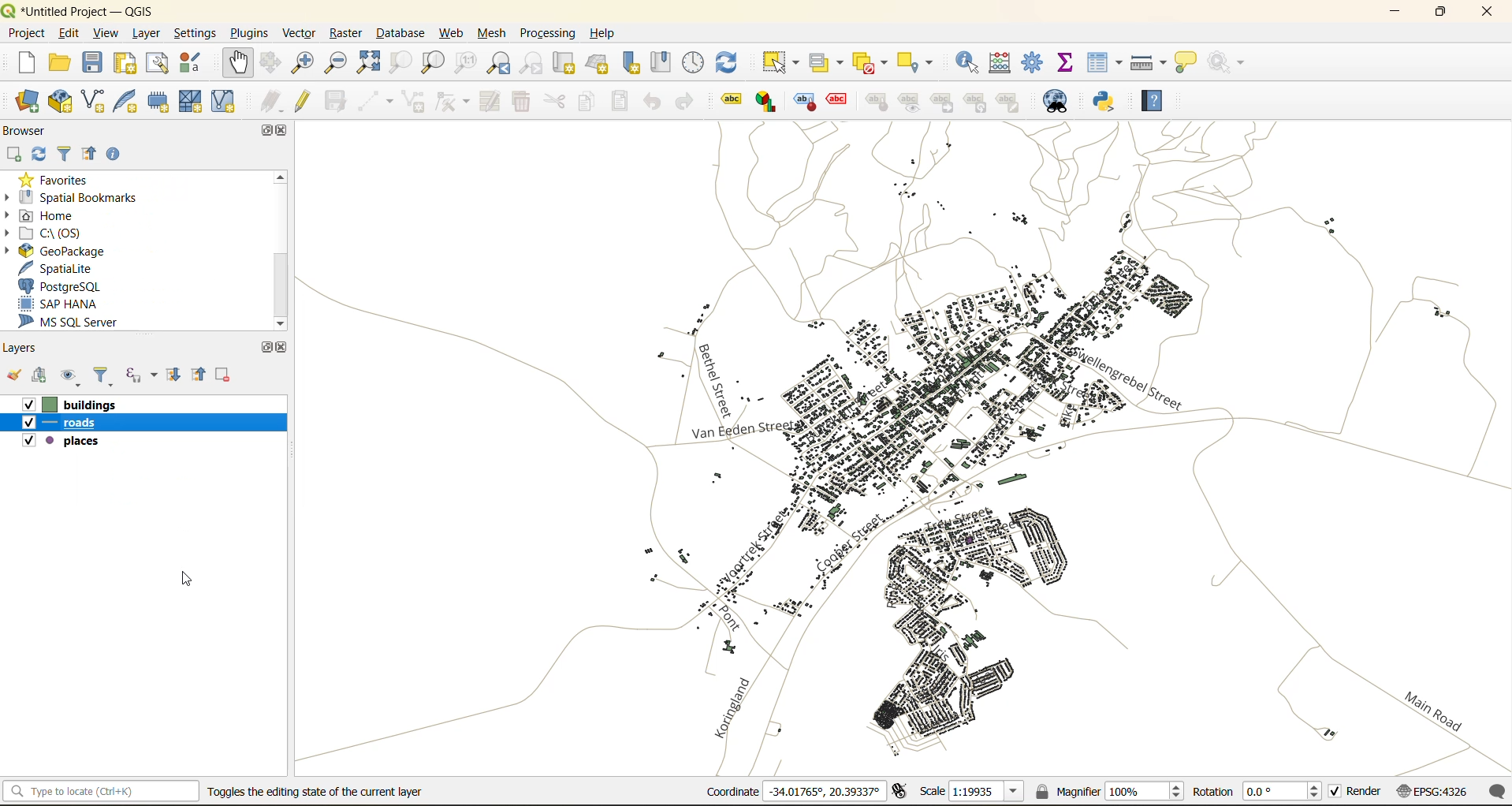 The image size is (1512, 806). What do you see at coordinates (715, 379) in the screenshot?
I see `labels` at bounding box center [715, 379].